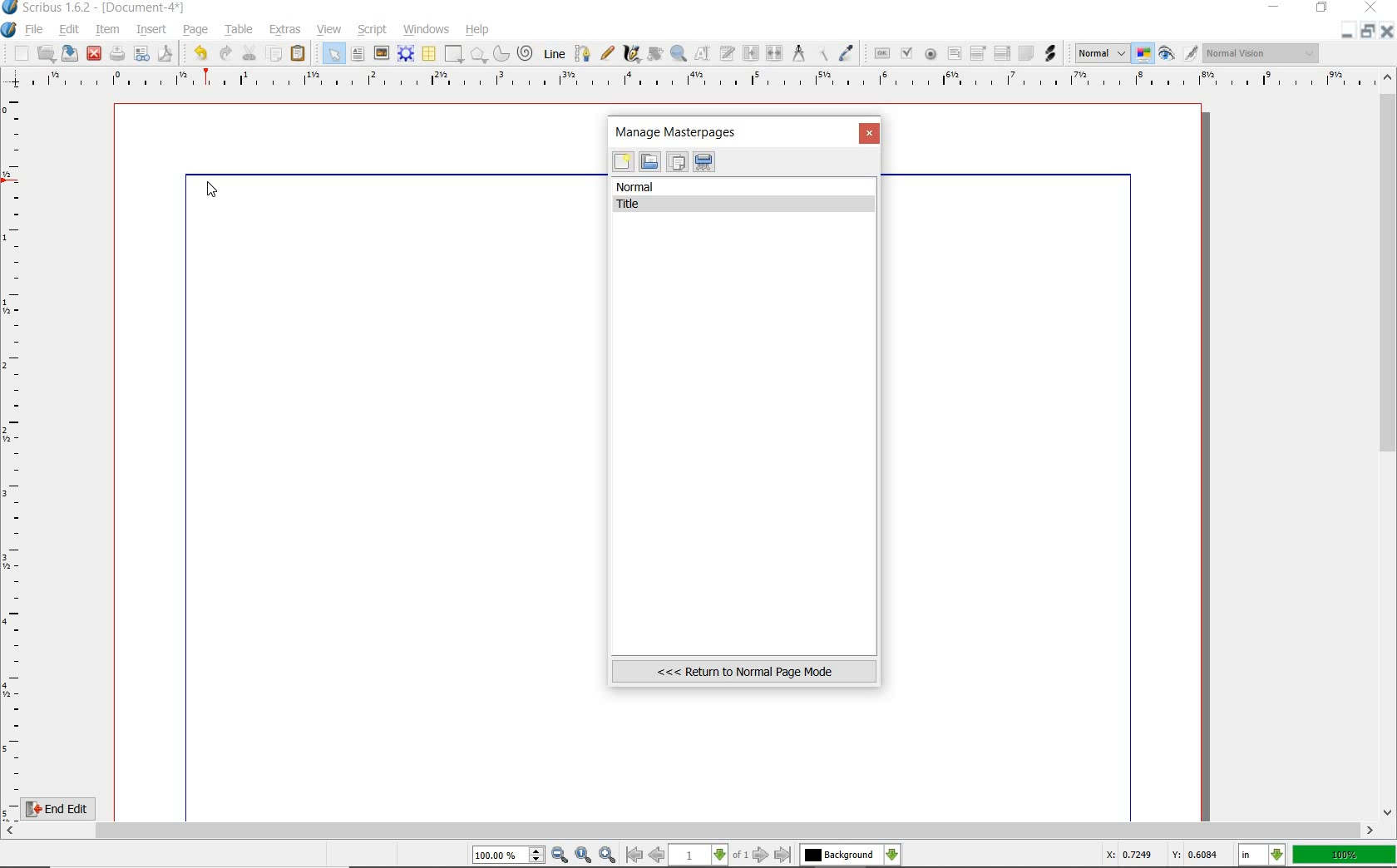  Describe the element at coordinates (728, 55) in the screenshot. I see `edit text with story editor` at that location.